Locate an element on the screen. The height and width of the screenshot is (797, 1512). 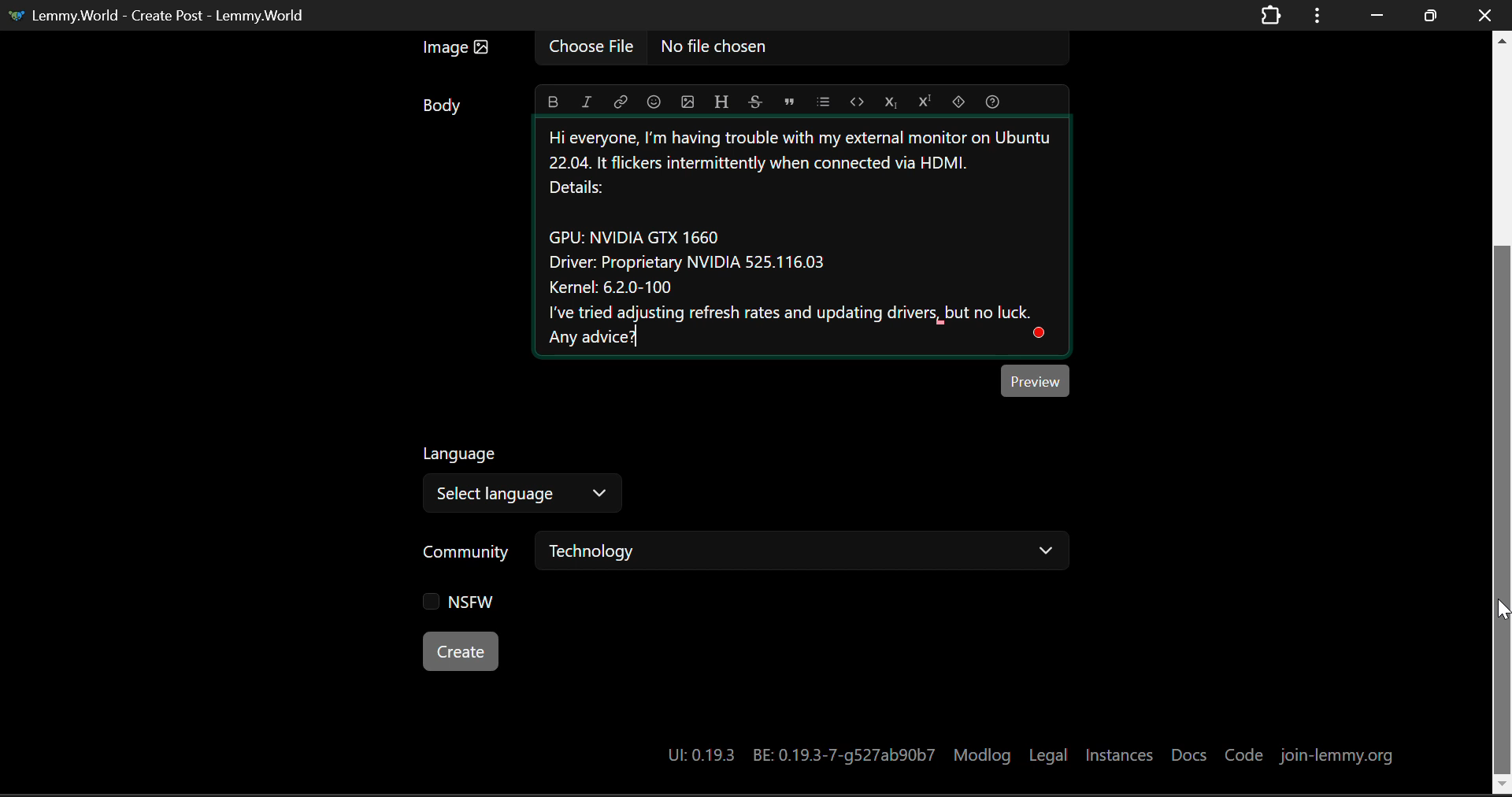
MOUSE_UP Cursor Position is located at coordinates (1503, 609).